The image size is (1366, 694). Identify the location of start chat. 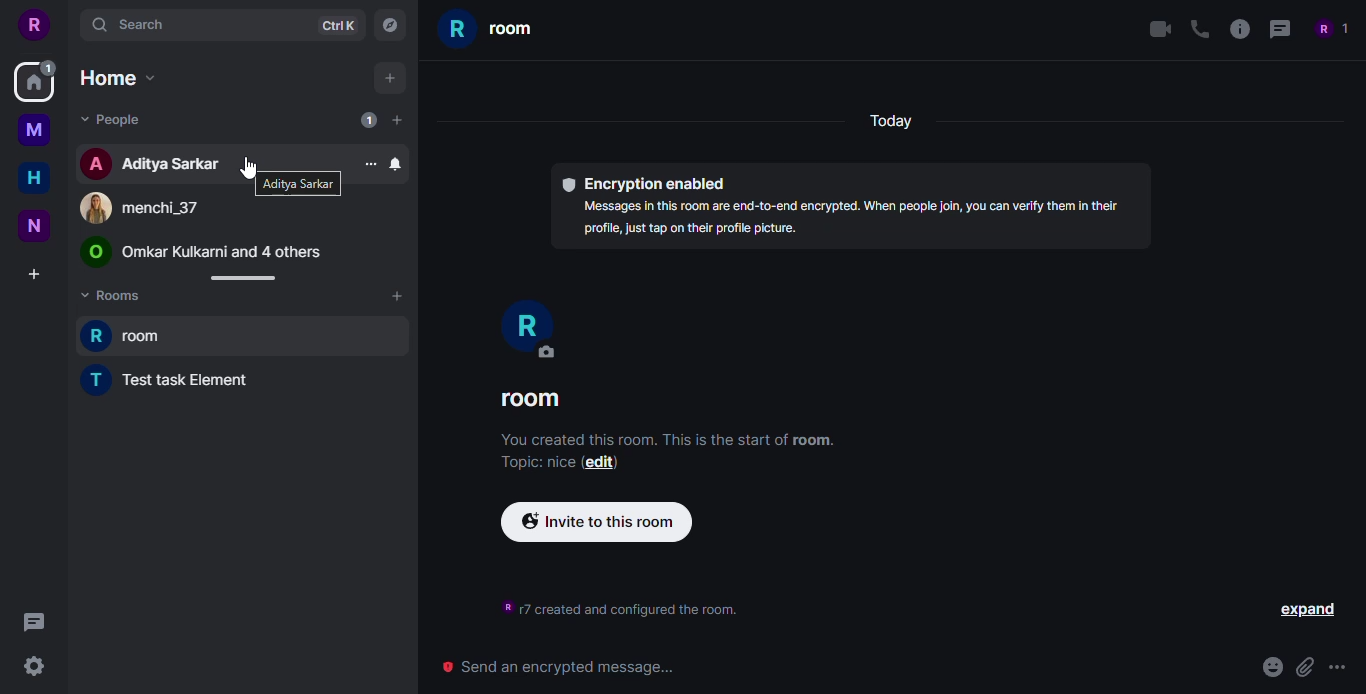
(396, 119).